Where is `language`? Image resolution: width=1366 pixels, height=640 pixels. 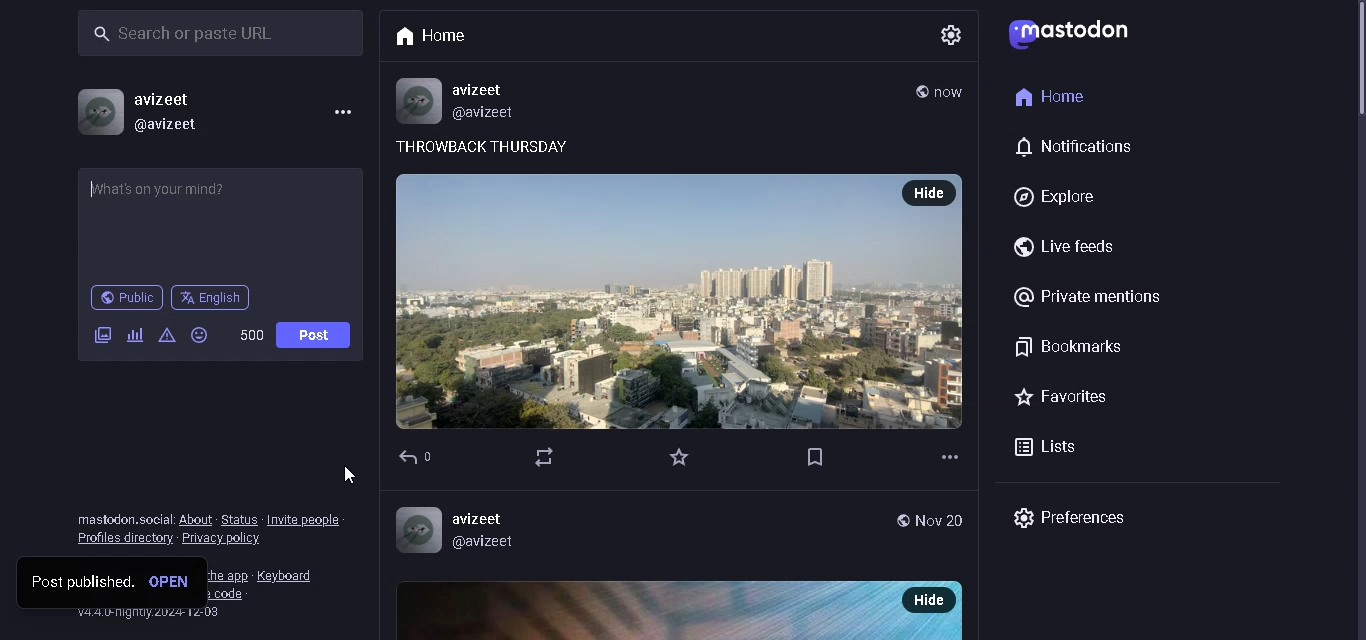
language is located at coordinates (212, 297).